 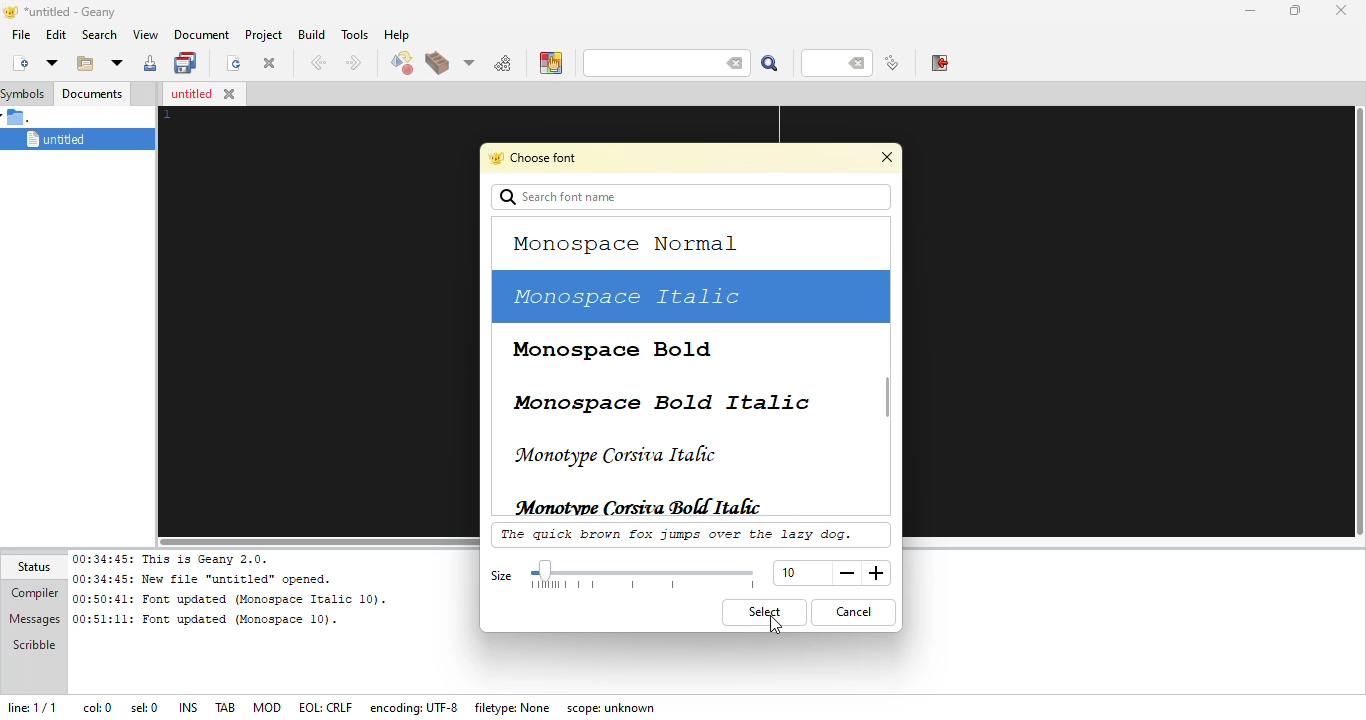 I want to click on build, so click(x=436, y=65).